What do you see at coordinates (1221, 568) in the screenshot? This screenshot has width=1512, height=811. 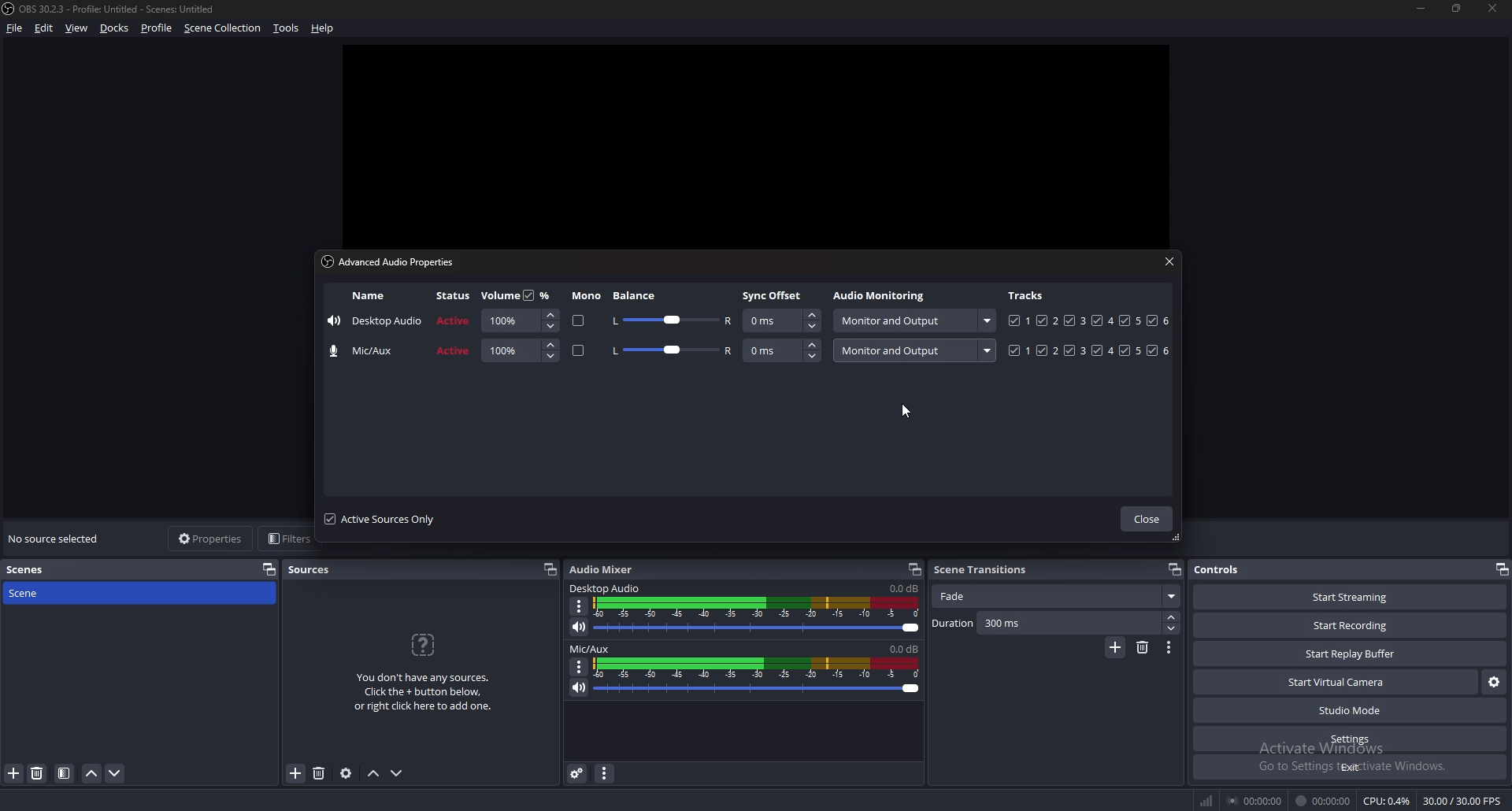 I see `controls` at bounding box center [1221, 568].